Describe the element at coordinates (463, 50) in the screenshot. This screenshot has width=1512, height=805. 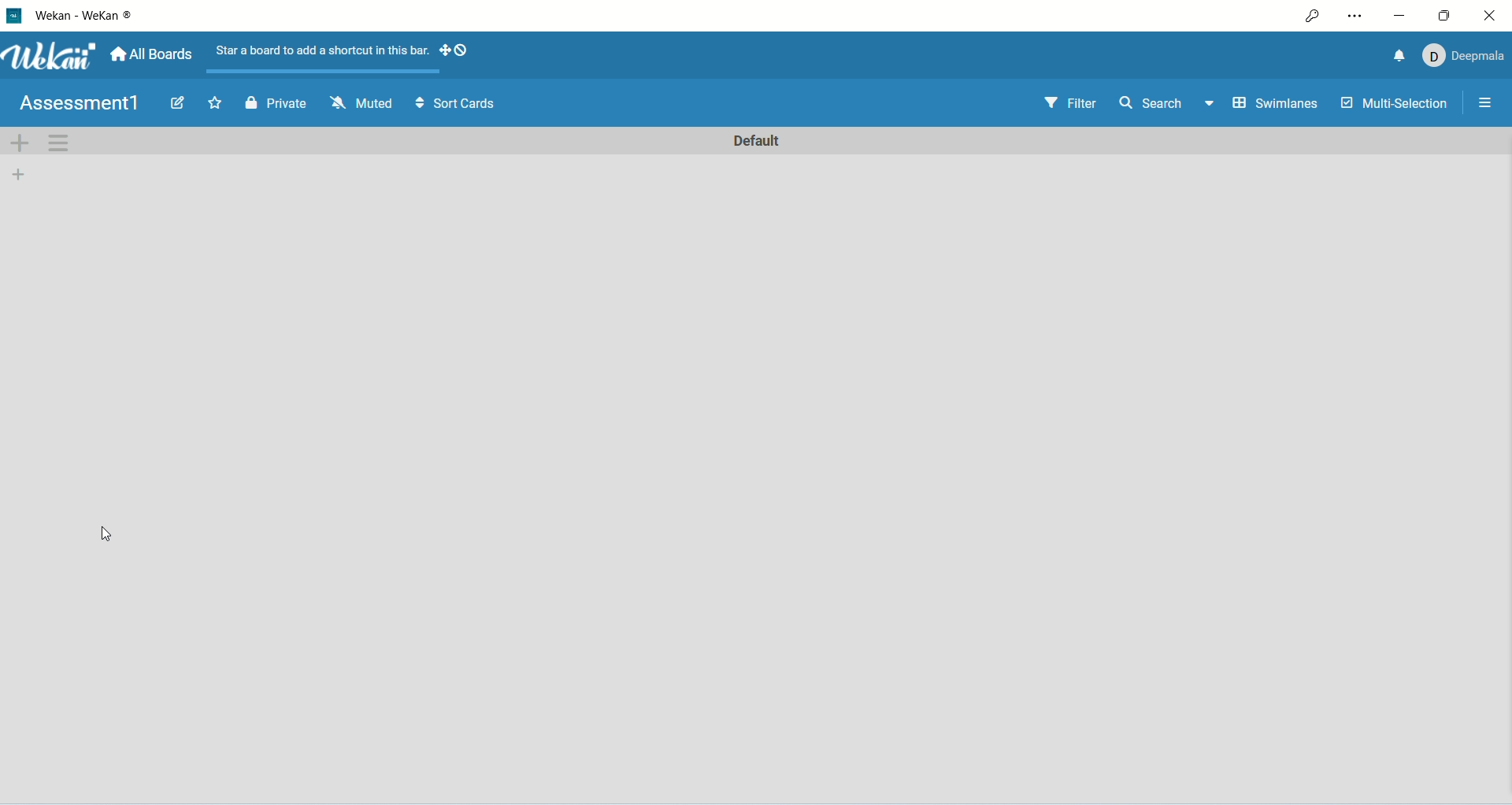
I see `show-desktop-drag-handles` at that location.